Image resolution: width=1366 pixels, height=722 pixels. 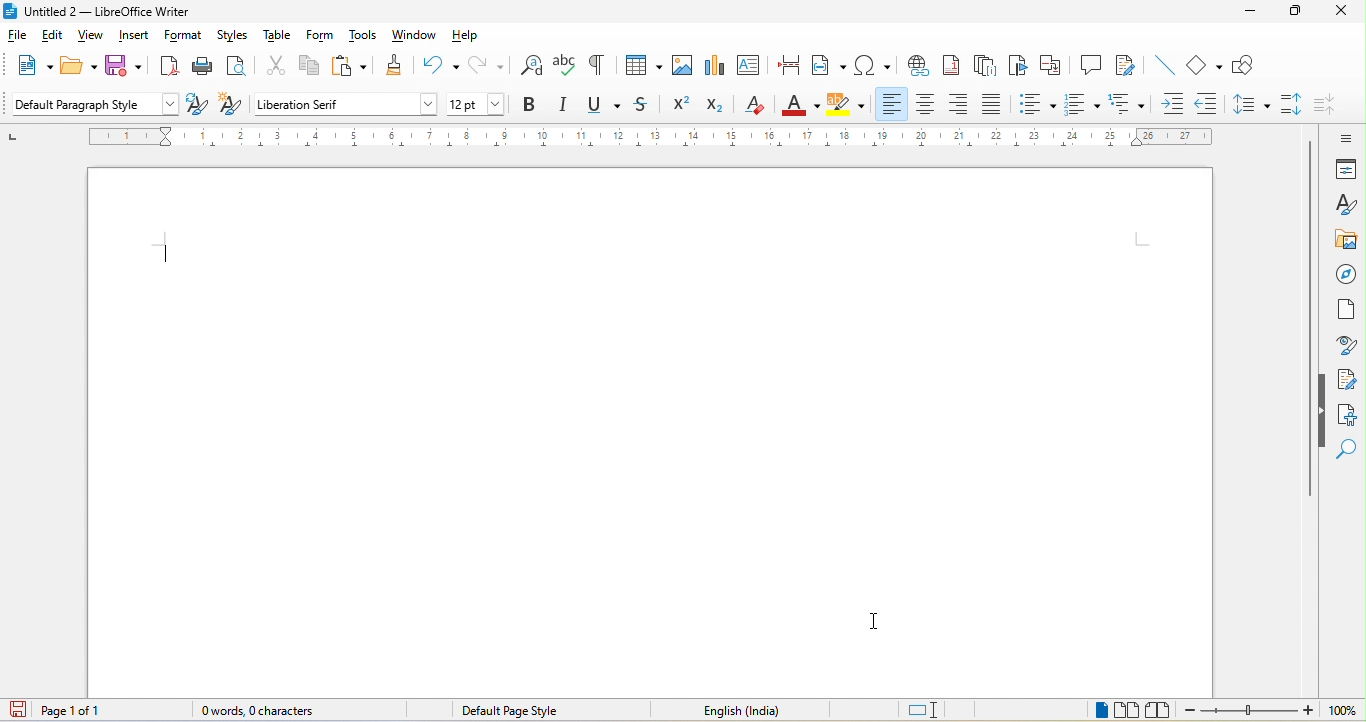 What do you see at coordinates (607, 69) in the screenshot?
I see `formatting marks` at bounding box center [607, 69].